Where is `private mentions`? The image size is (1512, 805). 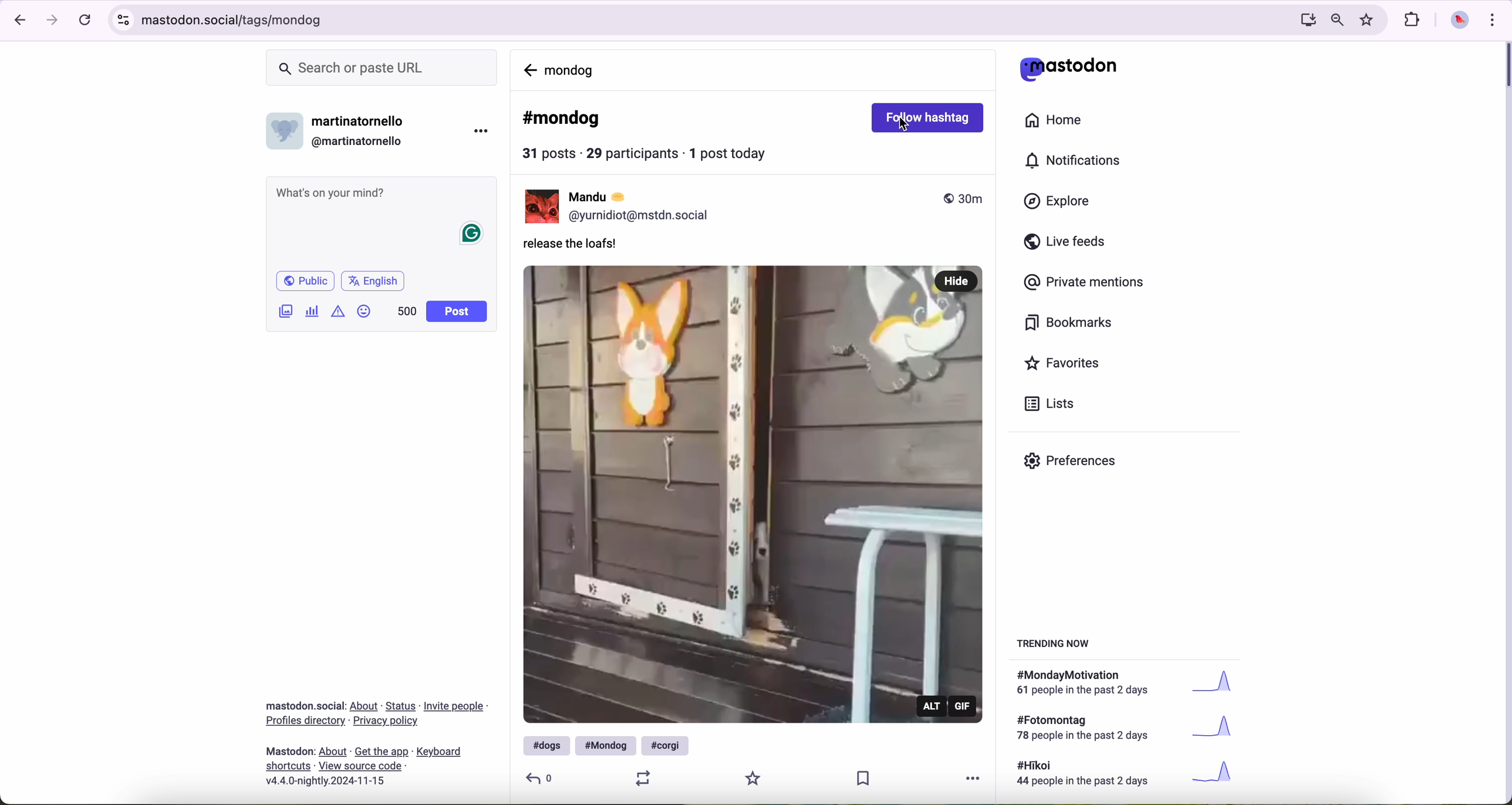
private mentions is located at coordinates (1088, 284).